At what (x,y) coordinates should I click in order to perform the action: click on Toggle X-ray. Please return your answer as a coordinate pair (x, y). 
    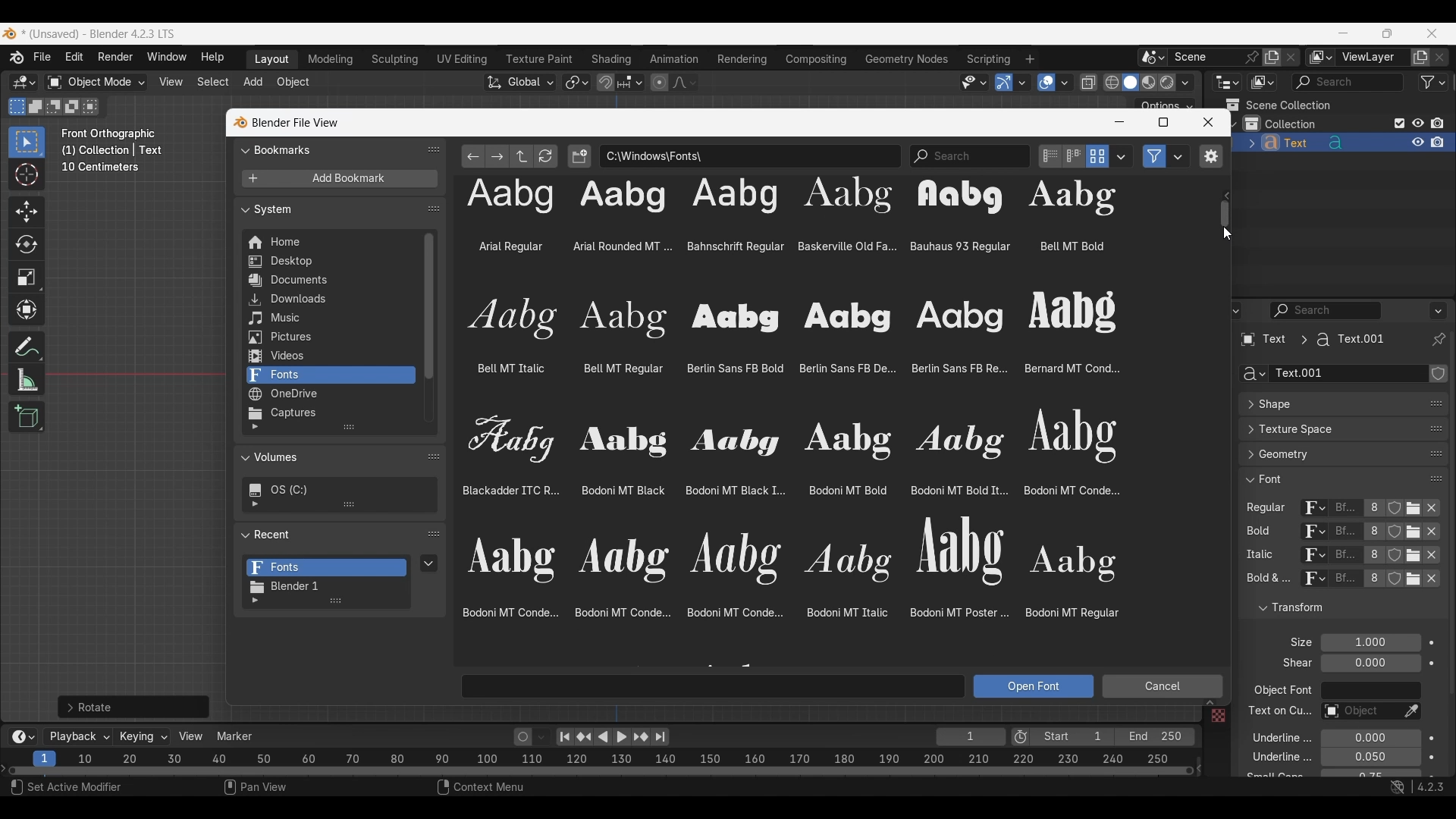
    Looking at the image, I should click on (1089, 83).